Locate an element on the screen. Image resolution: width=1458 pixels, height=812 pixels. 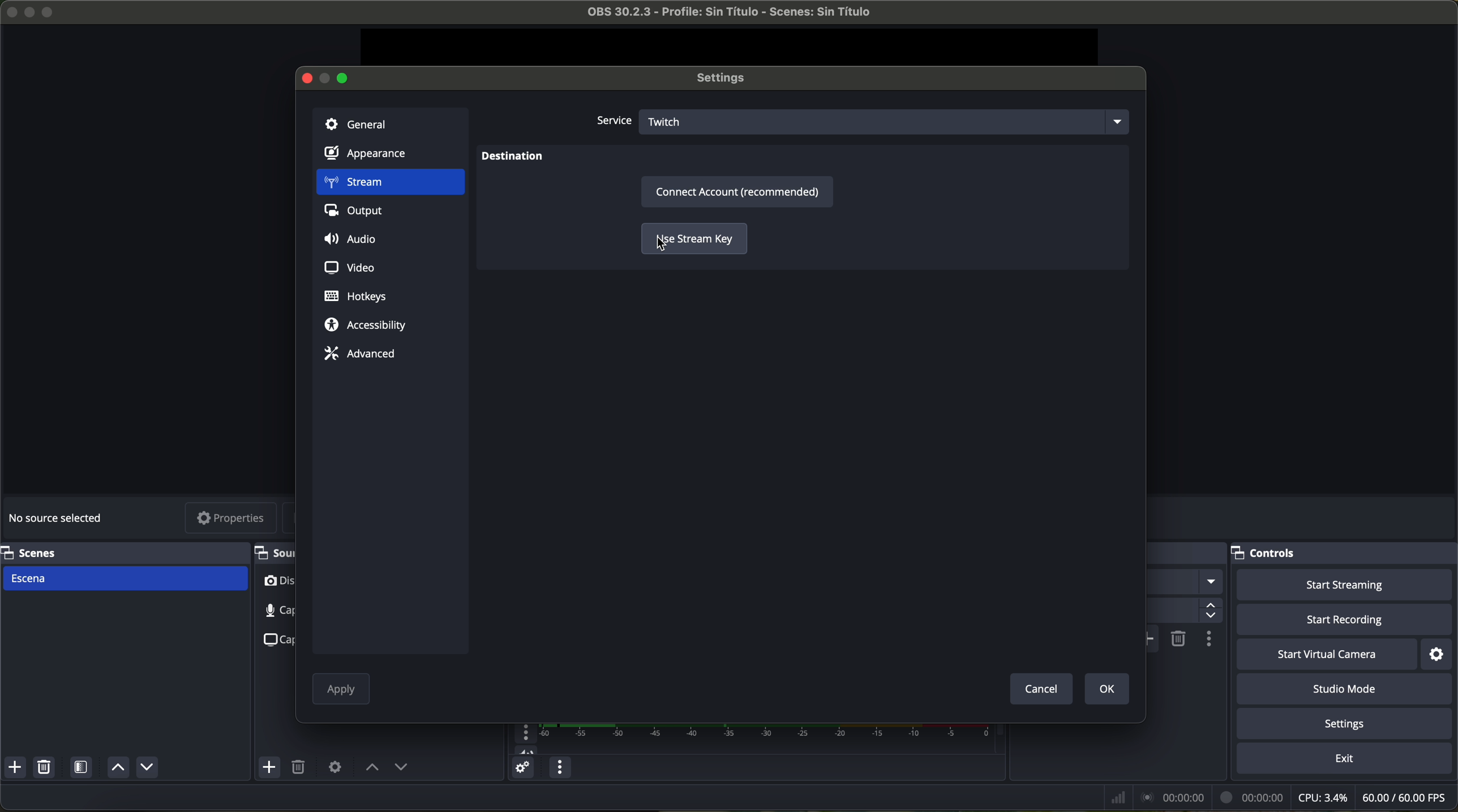
Twitch is located at coordinates (887, 121).